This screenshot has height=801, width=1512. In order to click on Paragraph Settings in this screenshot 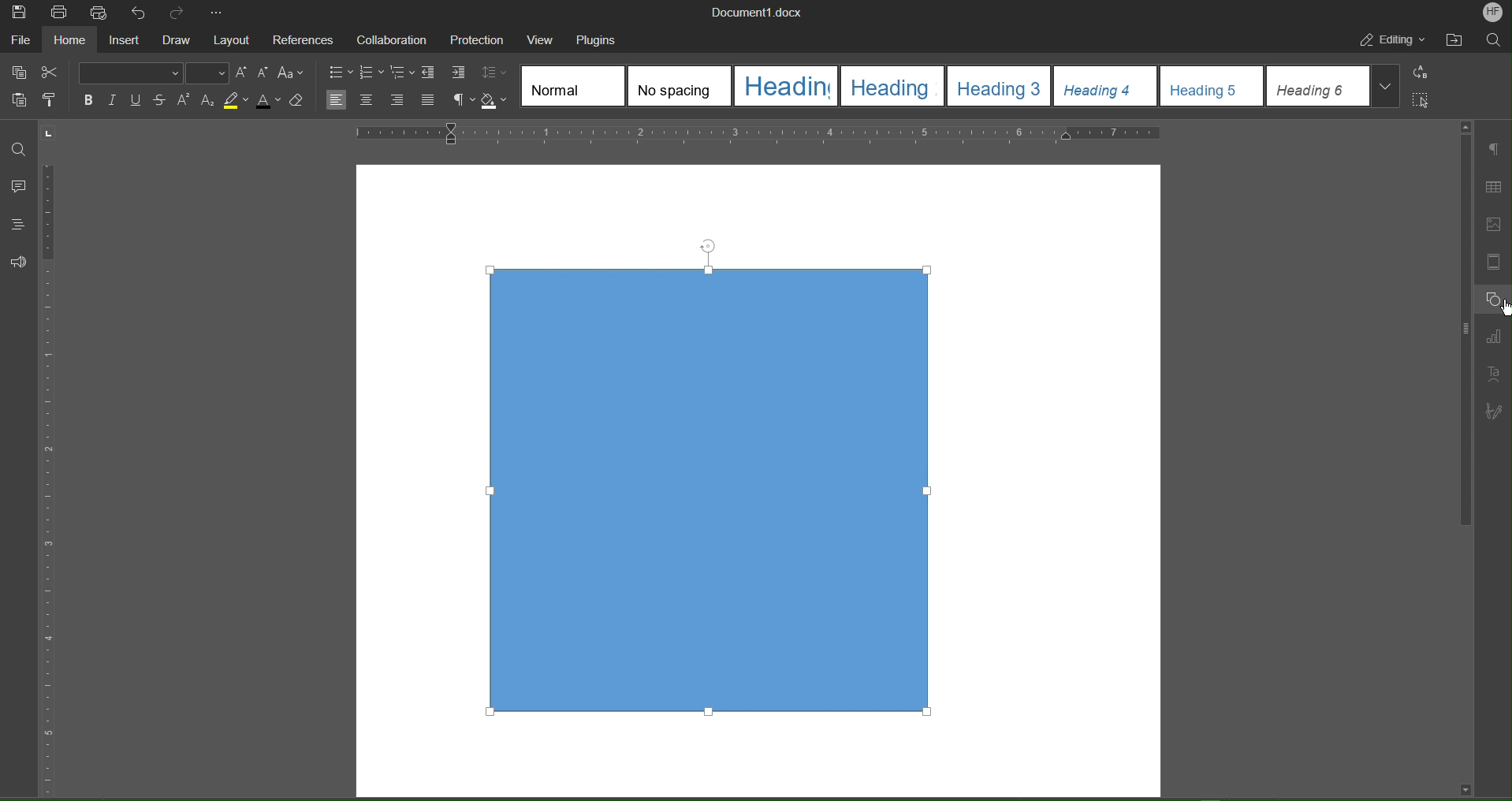, I will do `click(1495, 149)`.